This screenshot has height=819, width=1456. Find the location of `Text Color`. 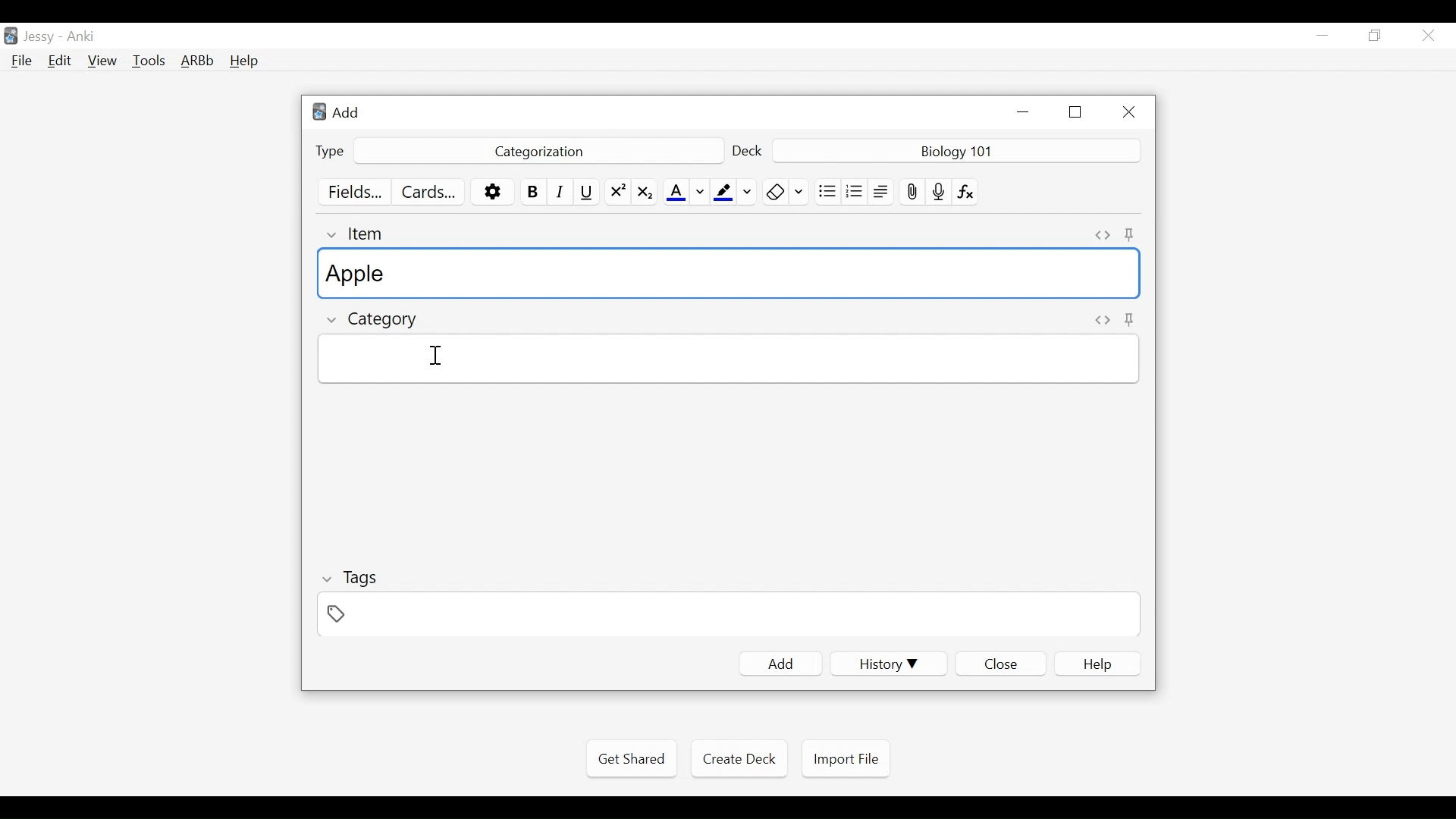

Text Color is located at coordinates (686, 192).